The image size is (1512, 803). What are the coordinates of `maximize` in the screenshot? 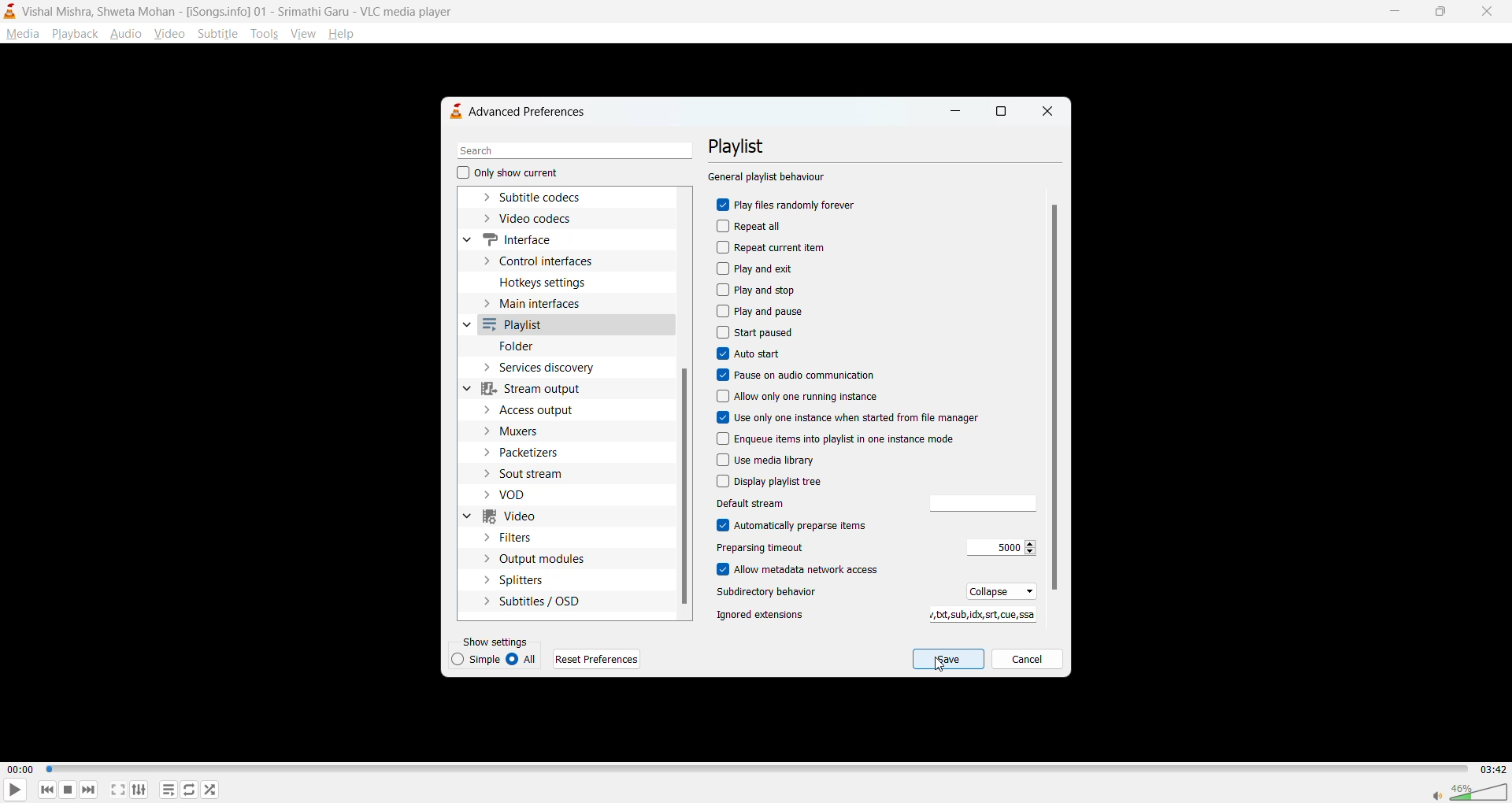 It's located at (1436, 13).